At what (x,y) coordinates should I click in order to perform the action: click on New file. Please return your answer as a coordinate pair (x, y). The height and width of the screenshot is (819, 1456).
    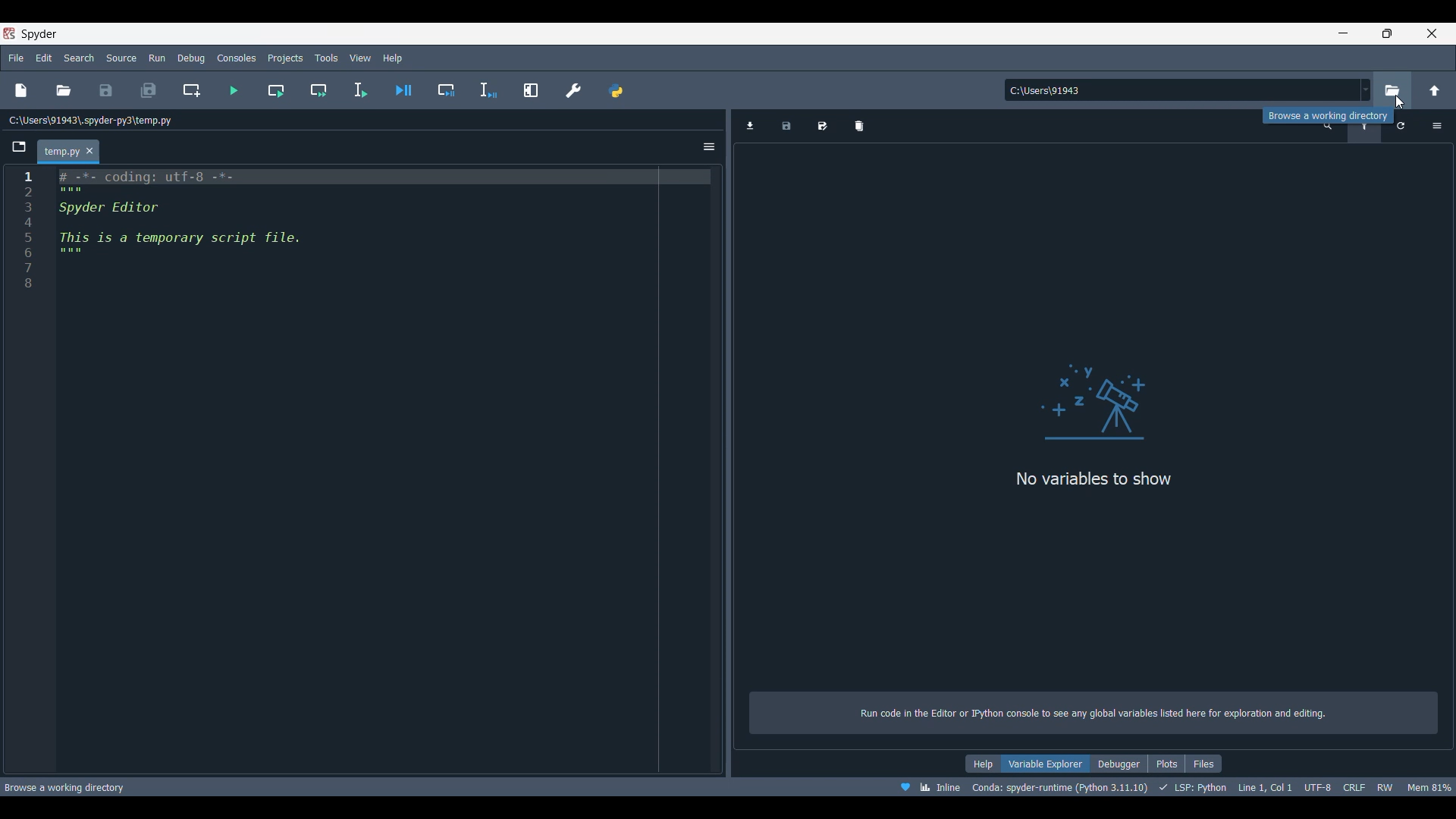
    Looking at the image, I should click on (20, 90).